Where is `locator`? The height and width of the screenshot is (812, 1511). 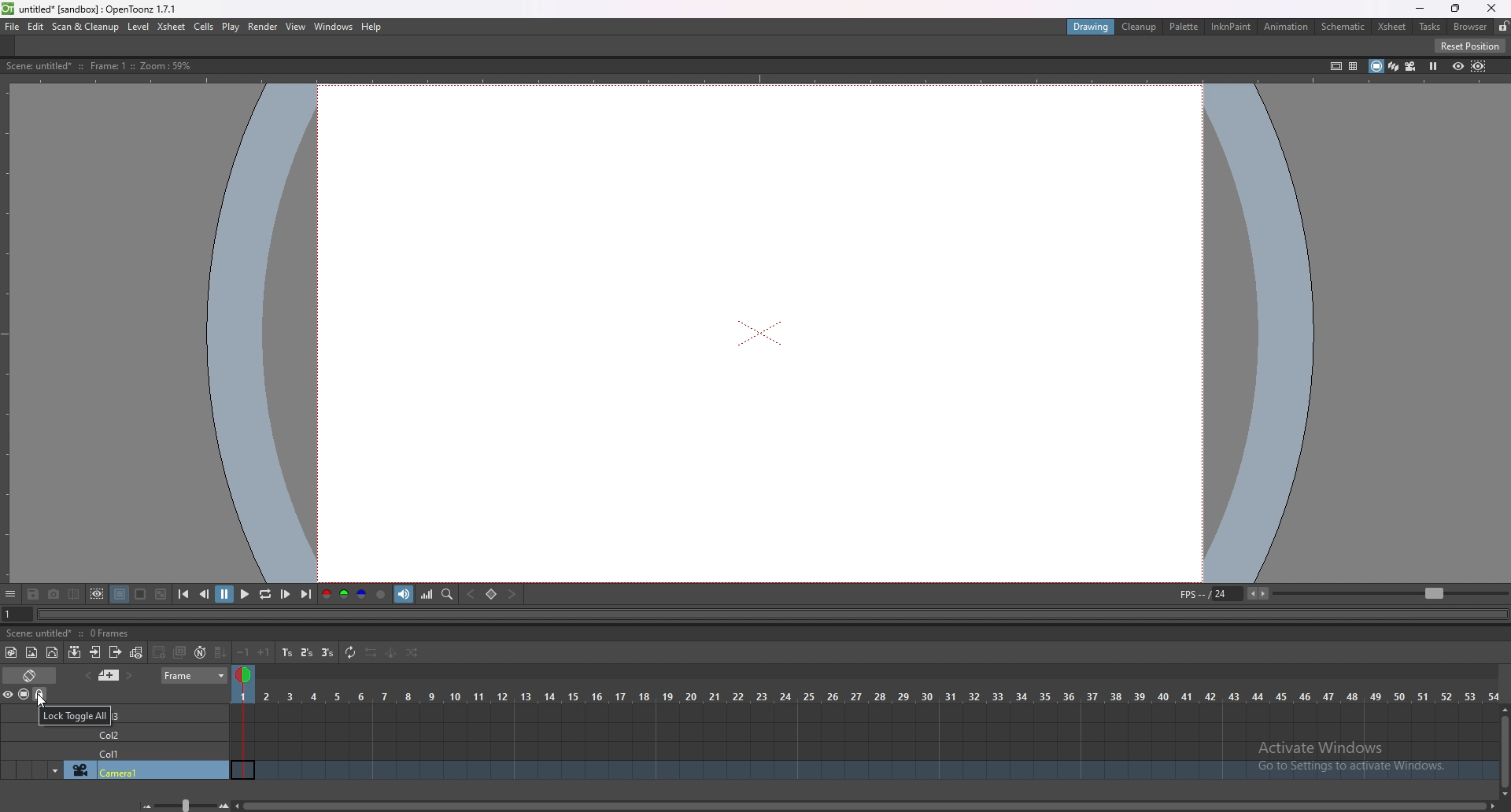
locator is located at coordinates (448, 595).